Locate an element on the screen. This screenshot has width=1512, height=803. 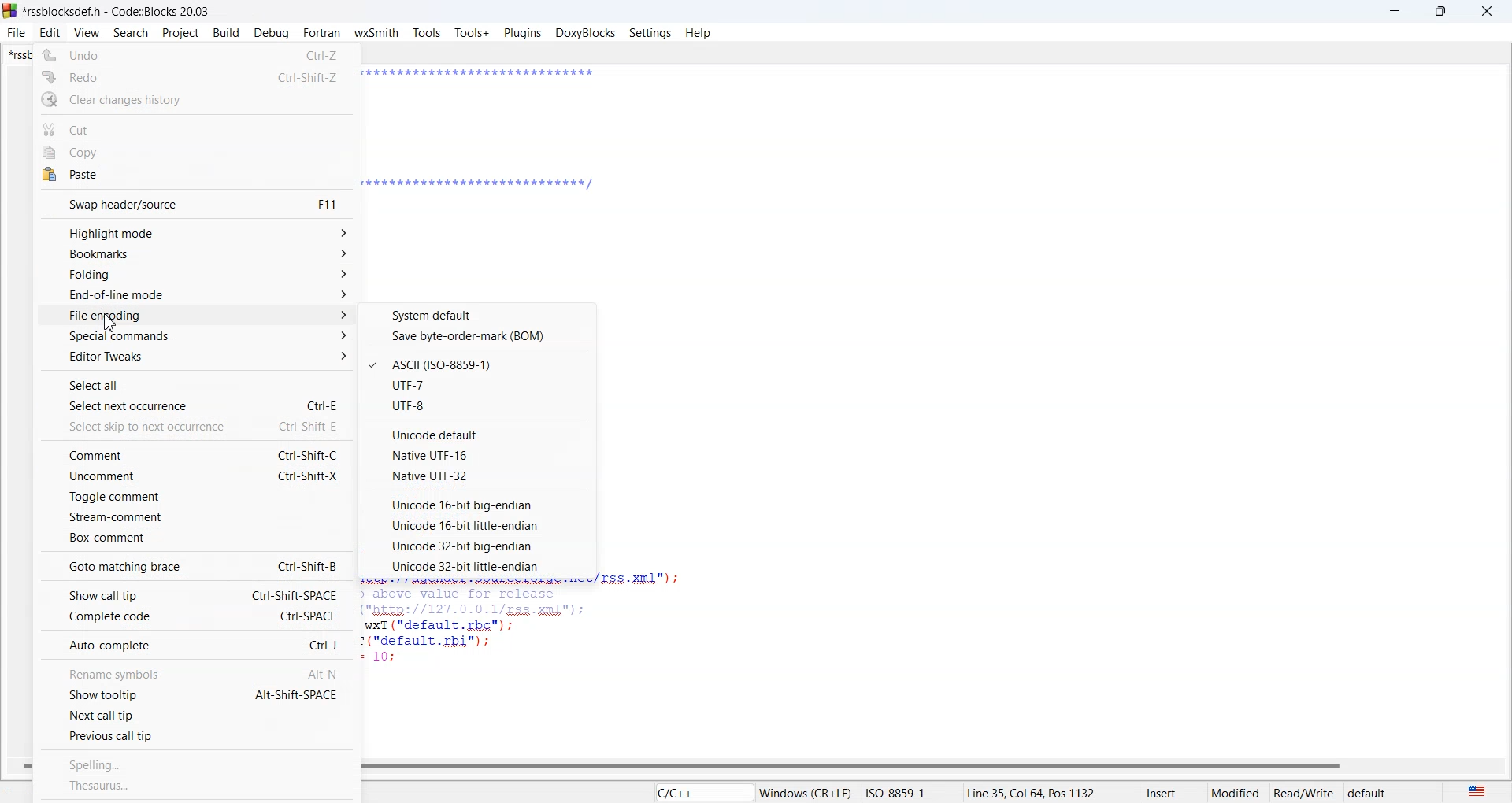
End of line mode is located at coordinates (198, 295).